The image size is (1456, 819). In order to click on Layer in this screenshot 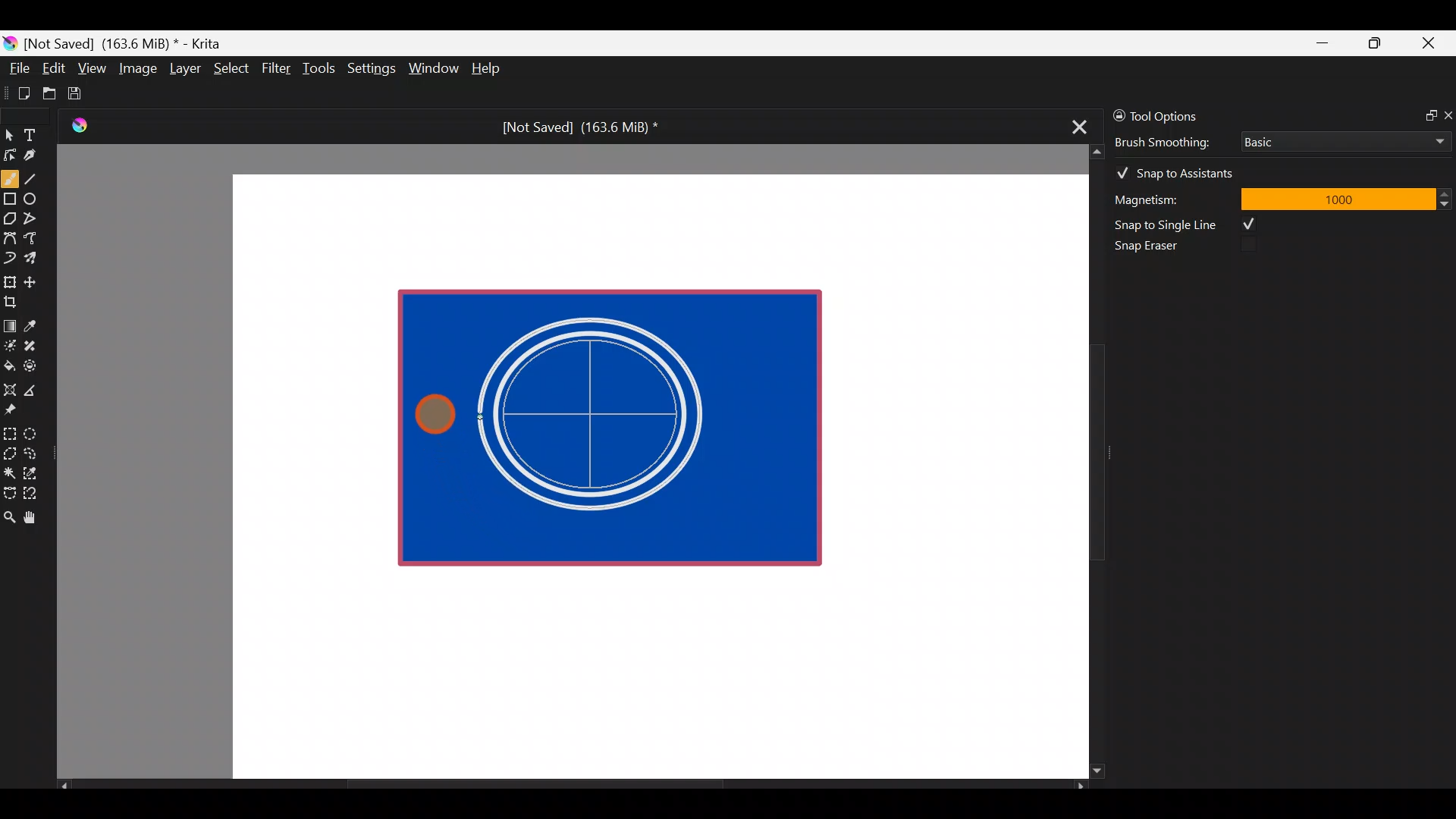, I will do `click(184, 72)`.